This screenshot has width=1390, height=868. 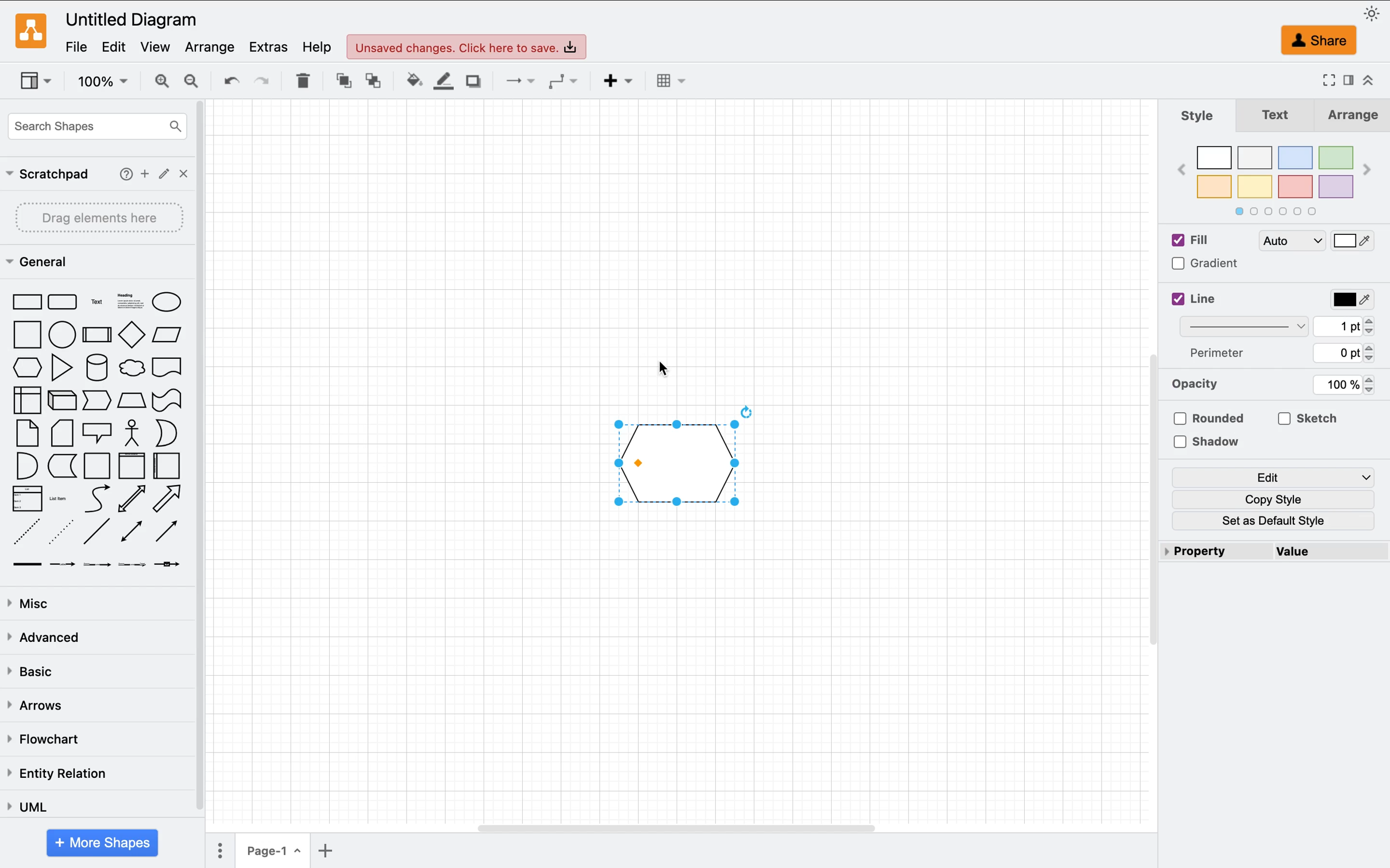 I want to click on cylinder, so click(x=95, y=367).